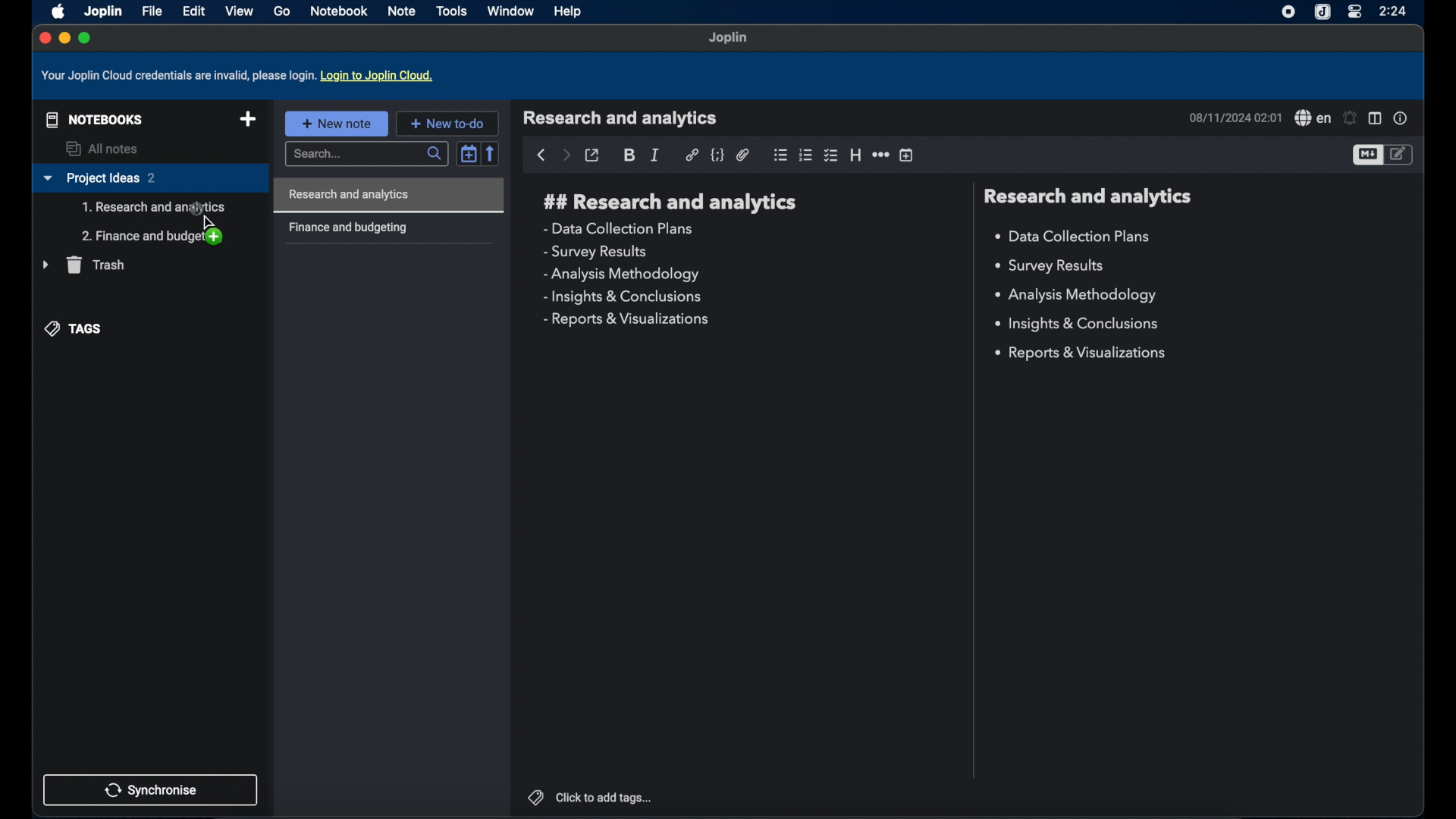 The image size is (1456, 819). Describe the element at coordinates (1401, 154) in the screenshot. I see `toggle editor` at that location.